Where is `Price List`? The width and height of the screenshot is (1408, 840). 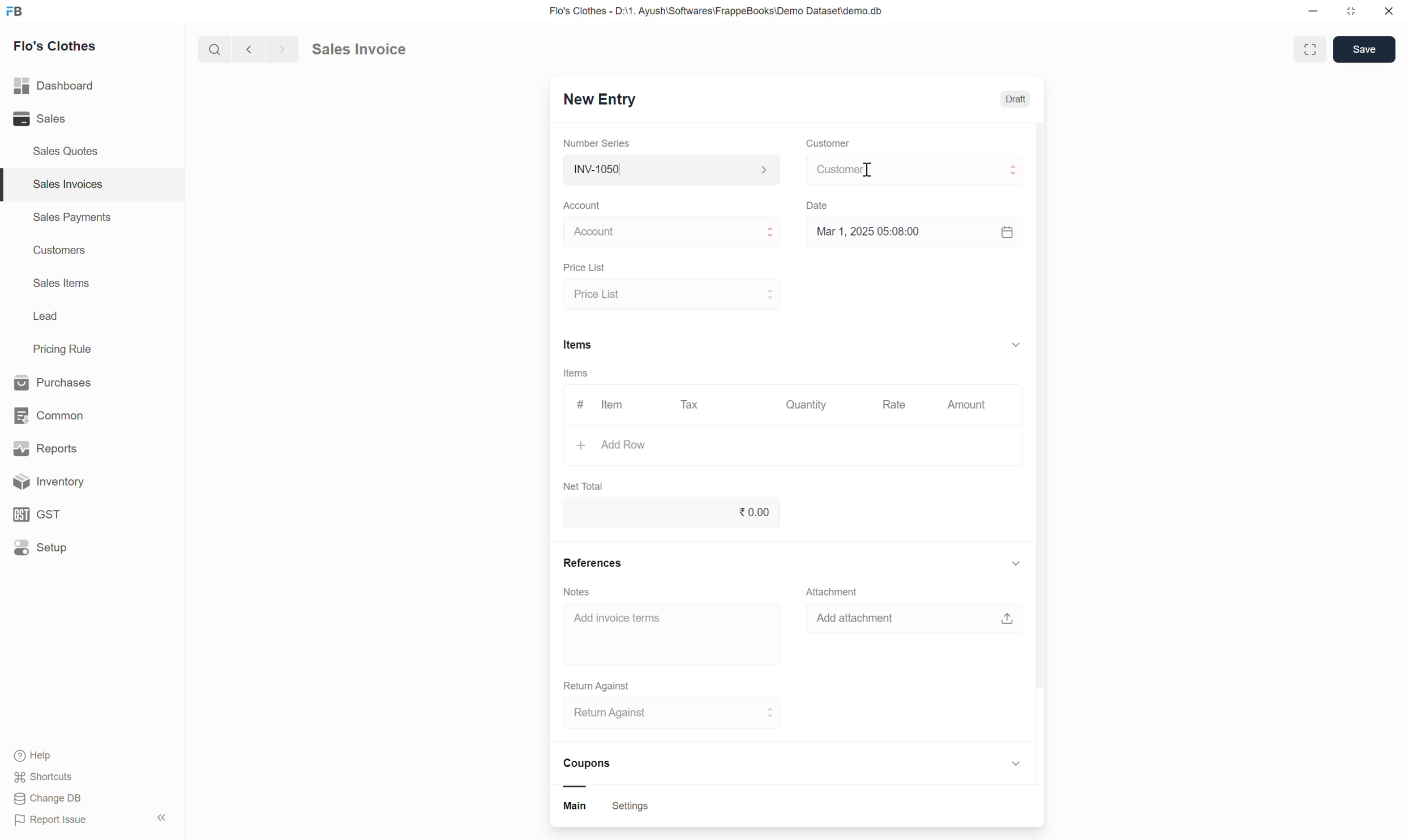
Price List is located at coordinates (582, 268).